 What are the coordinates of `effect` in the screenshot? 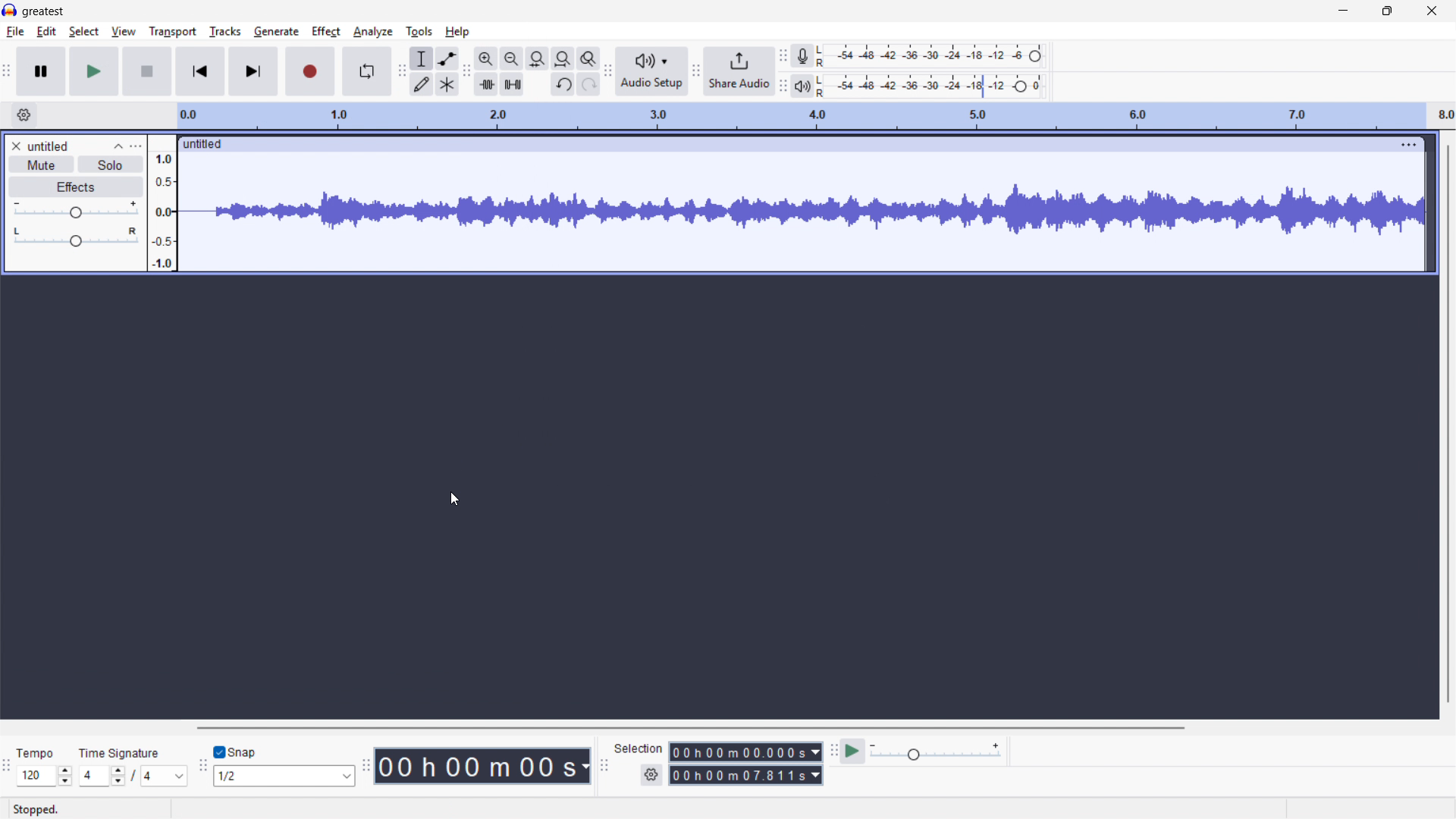 It's located at (327, 30).